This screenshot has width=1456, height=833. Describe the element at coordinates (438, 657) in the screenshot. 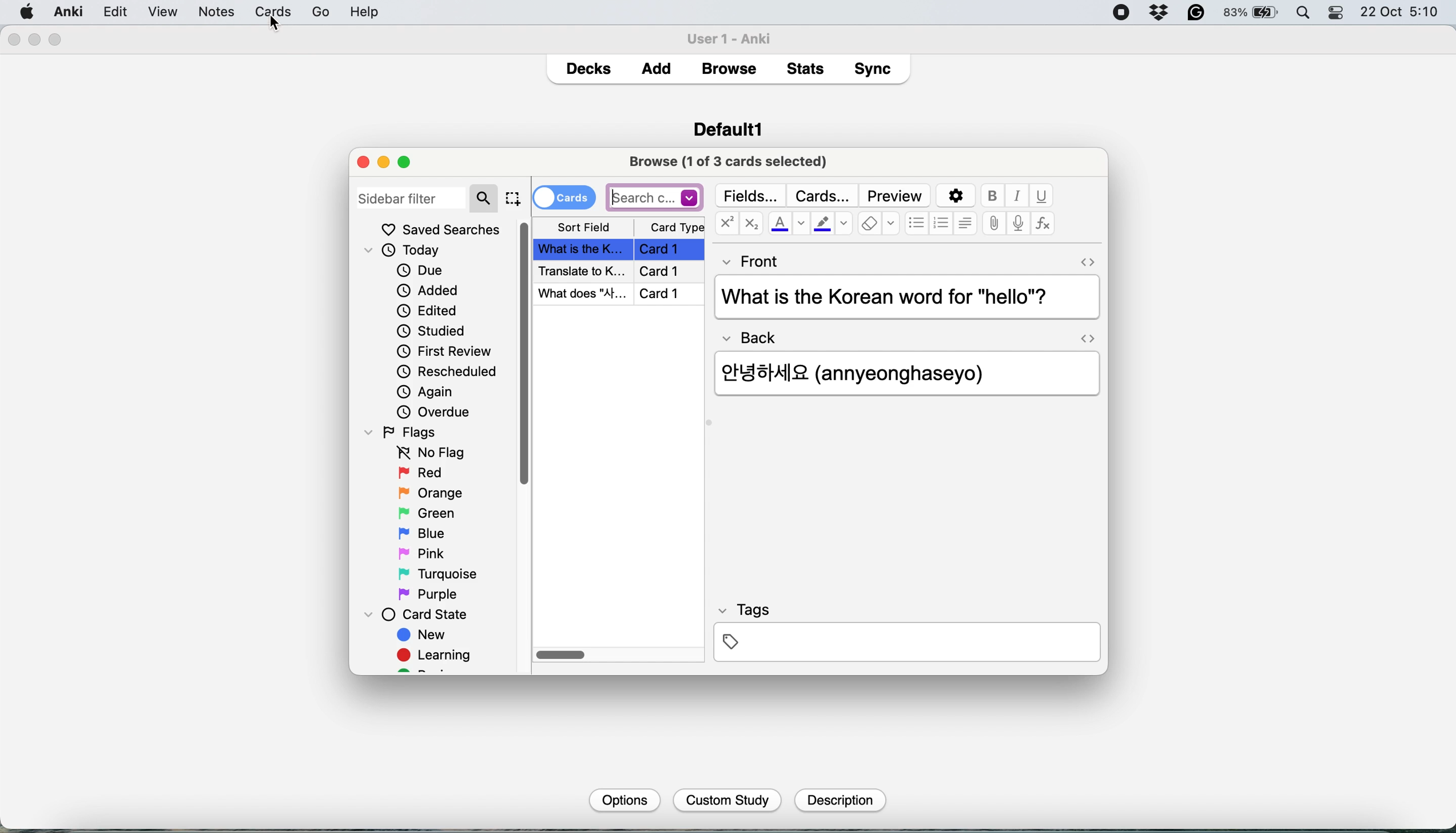

I see `learning` at that location.